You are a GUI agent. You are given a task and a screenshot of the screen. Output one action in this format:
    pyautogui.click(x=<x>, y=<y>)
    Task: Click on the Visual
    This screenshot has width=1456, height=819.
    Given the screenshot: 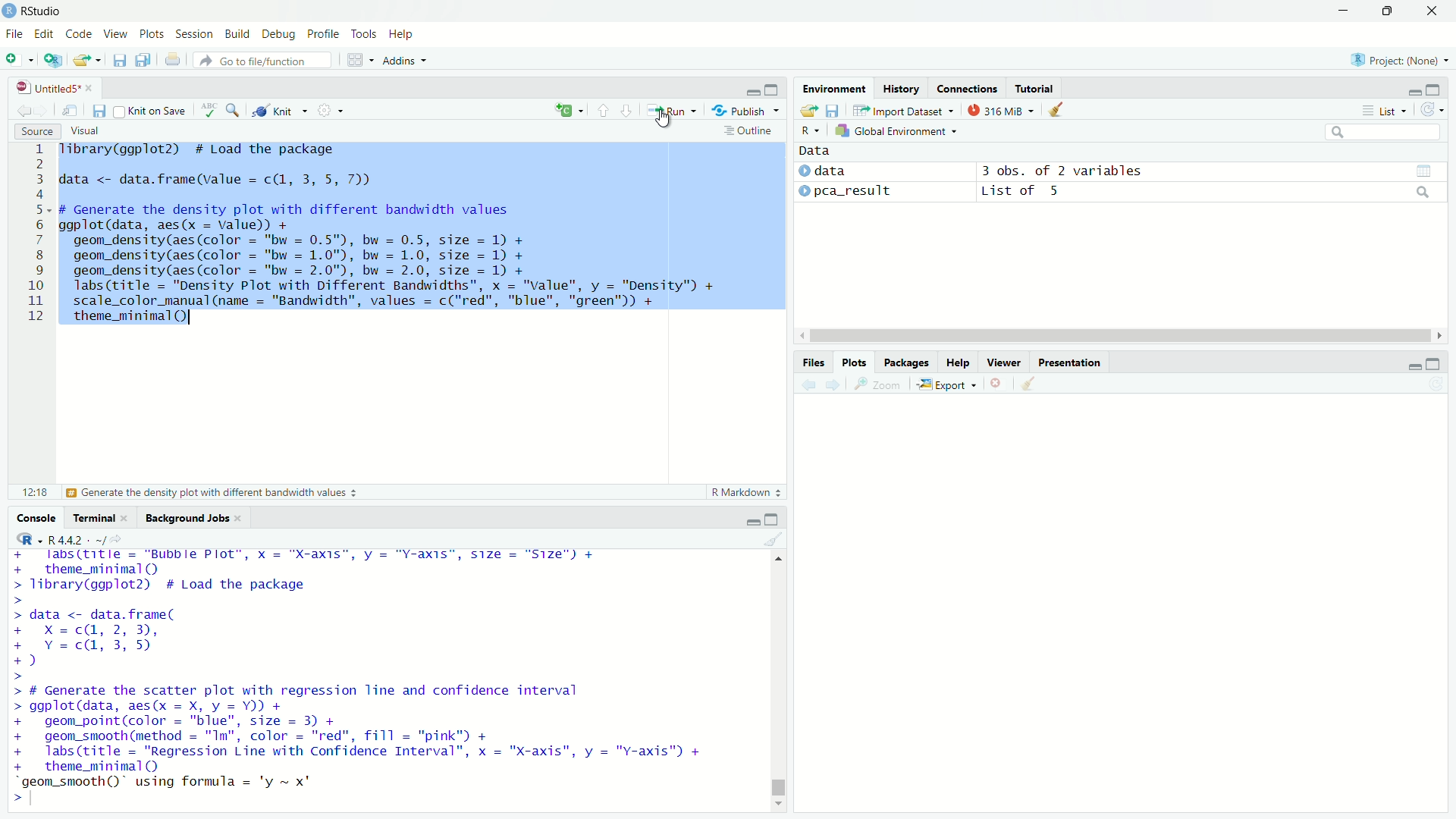 What is the action you would take?
    pyautogui.click(x=84, y=131)
    